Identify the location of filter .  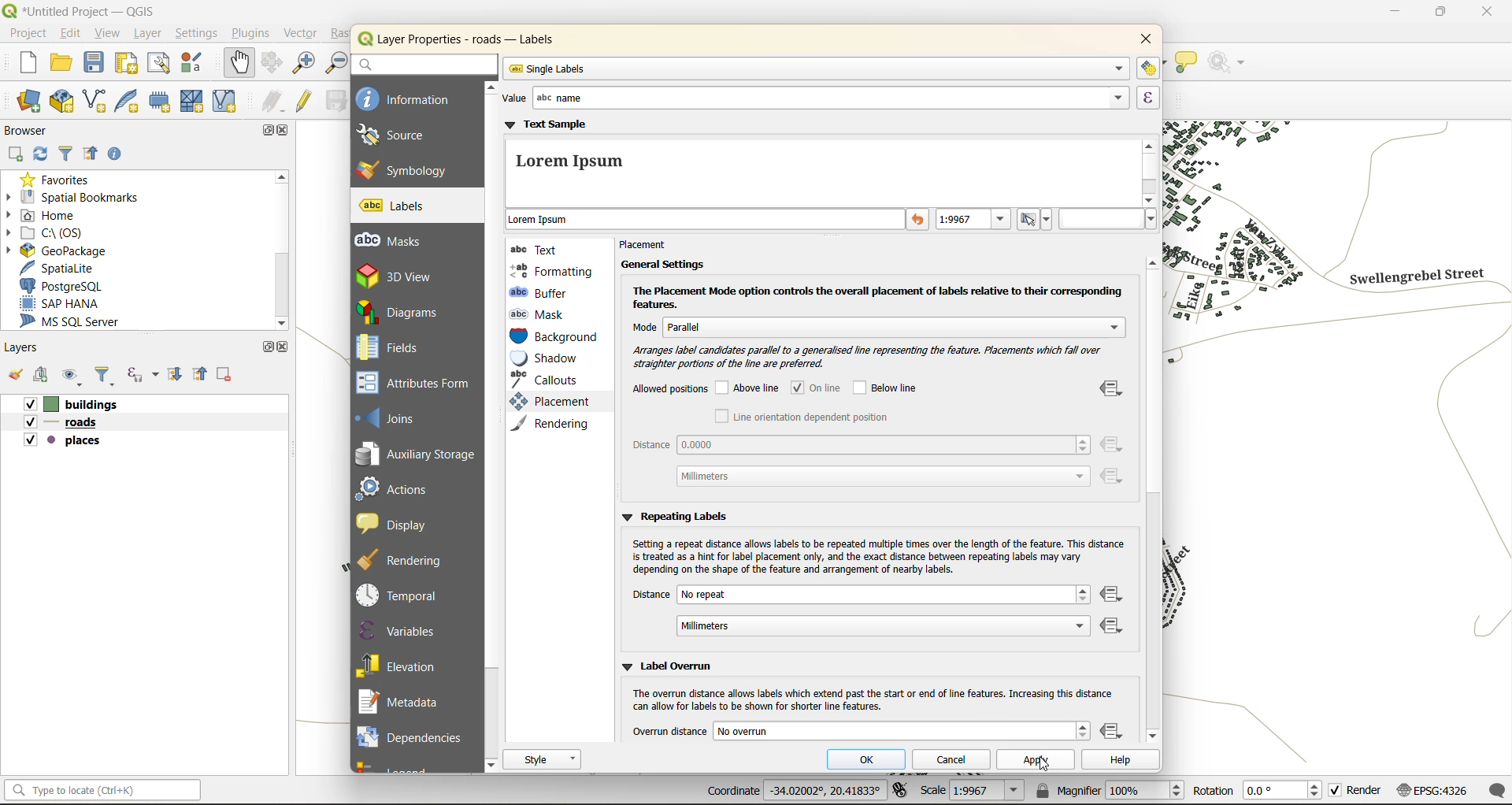
(106, 377).